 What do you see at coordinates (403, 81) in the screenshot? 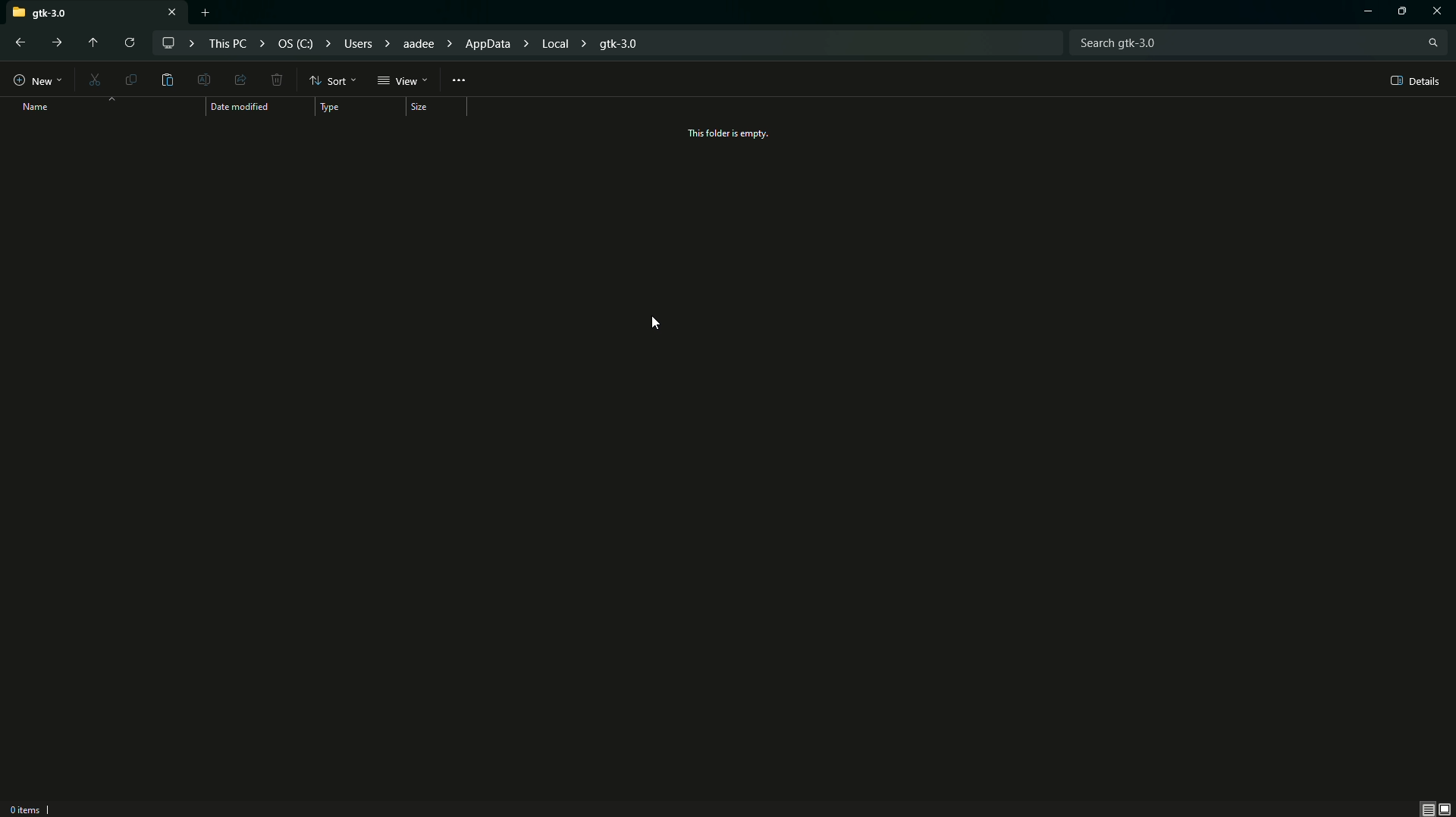
I see `View` at bounding box center [403, 81].